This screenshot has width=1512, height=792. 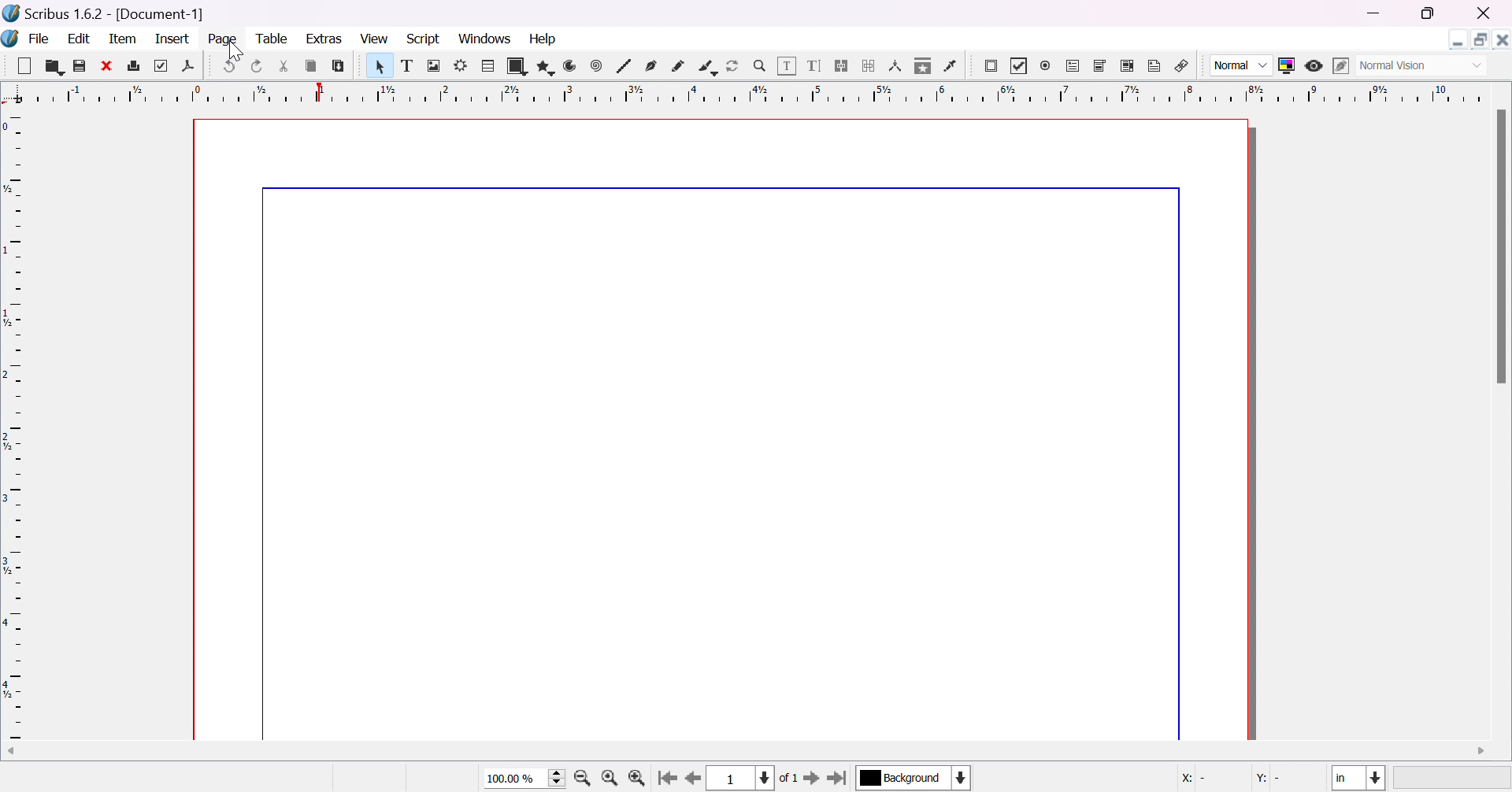 I want to click on edit contents of frame, so click(x=790, y=67).